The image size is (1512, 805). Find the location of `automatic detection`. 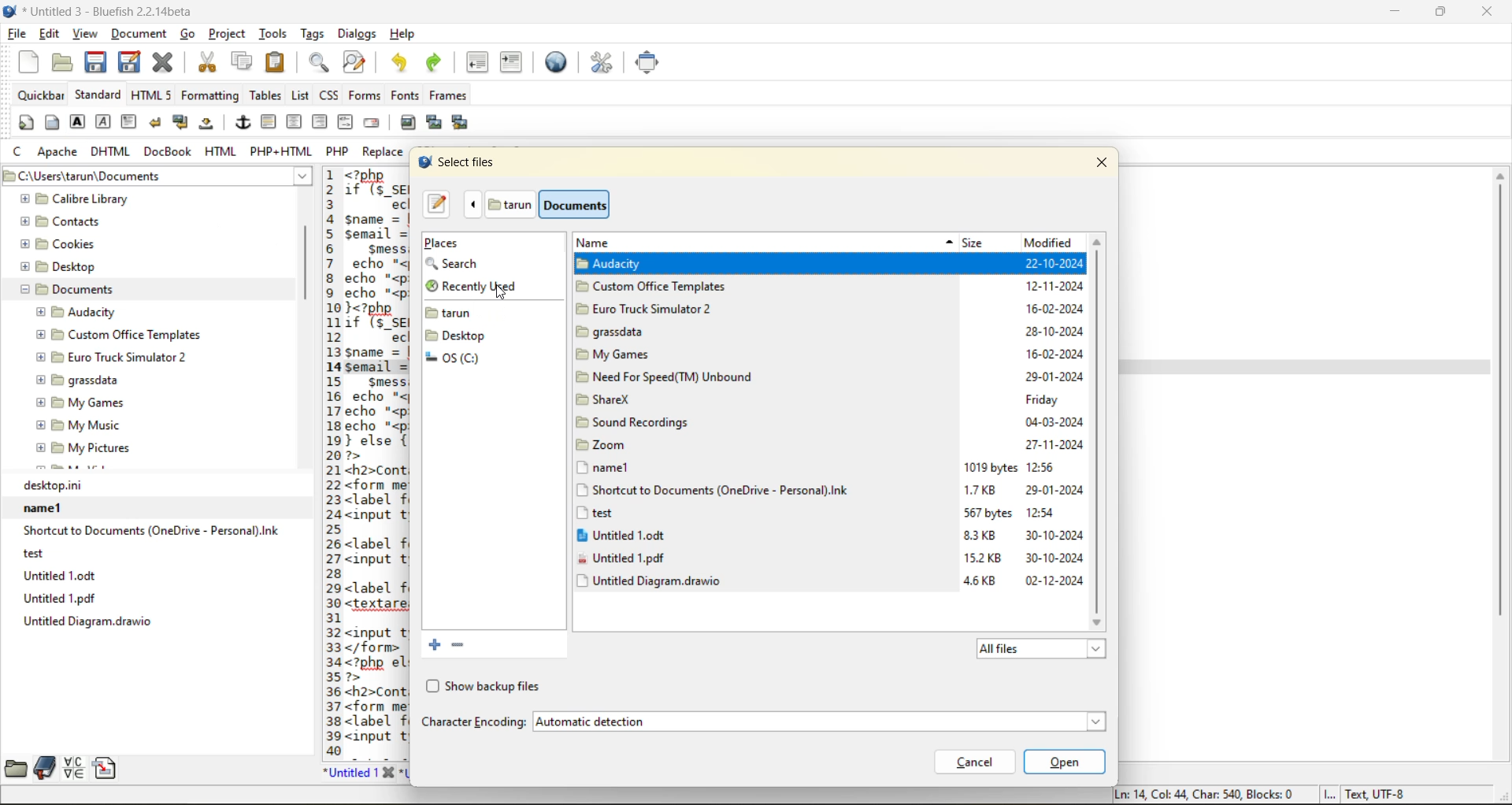

automatic detection is located at coordinates (815, 722).